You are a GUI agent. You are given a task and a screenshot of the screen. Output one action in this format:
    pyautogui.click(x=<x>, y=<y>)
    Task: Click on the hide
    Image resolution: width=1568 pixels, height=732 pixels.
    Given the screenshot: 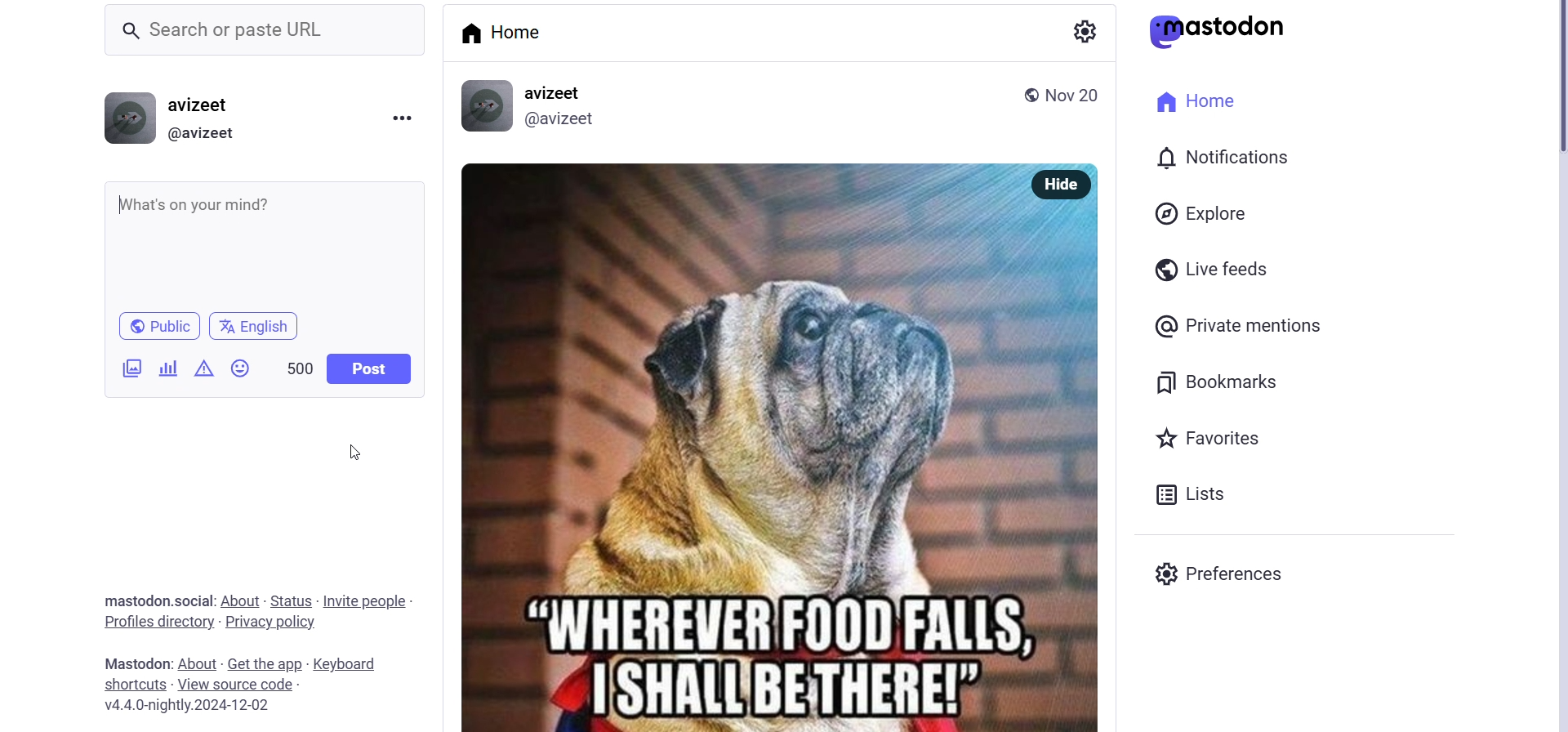 What is the action you would take?
    pyautogui.click(x=1065, y=184)
    